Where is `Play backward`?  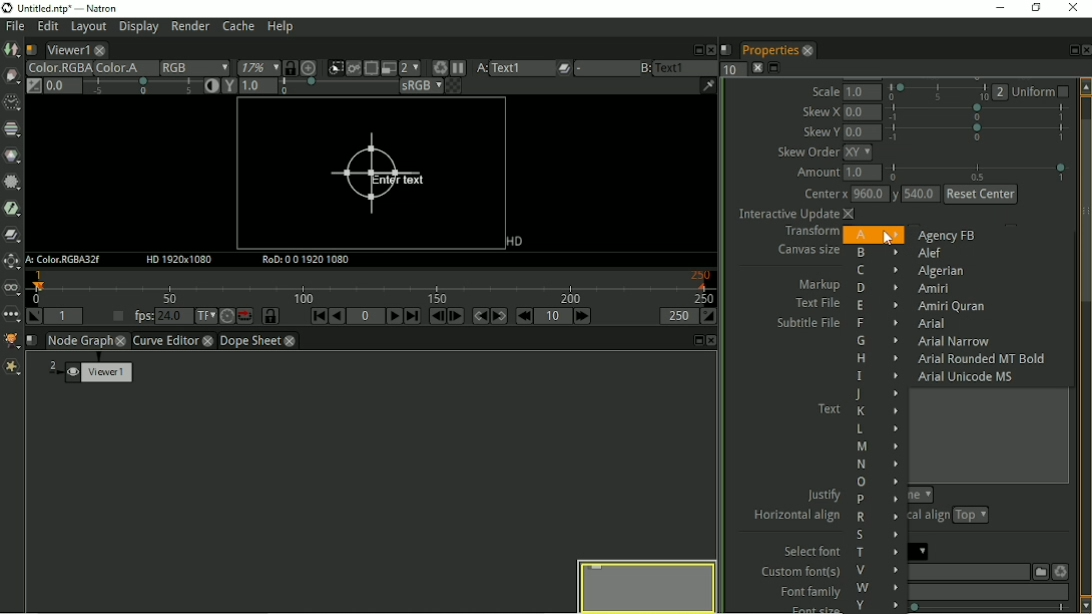 Play backward is located at coordinates (337, 316).